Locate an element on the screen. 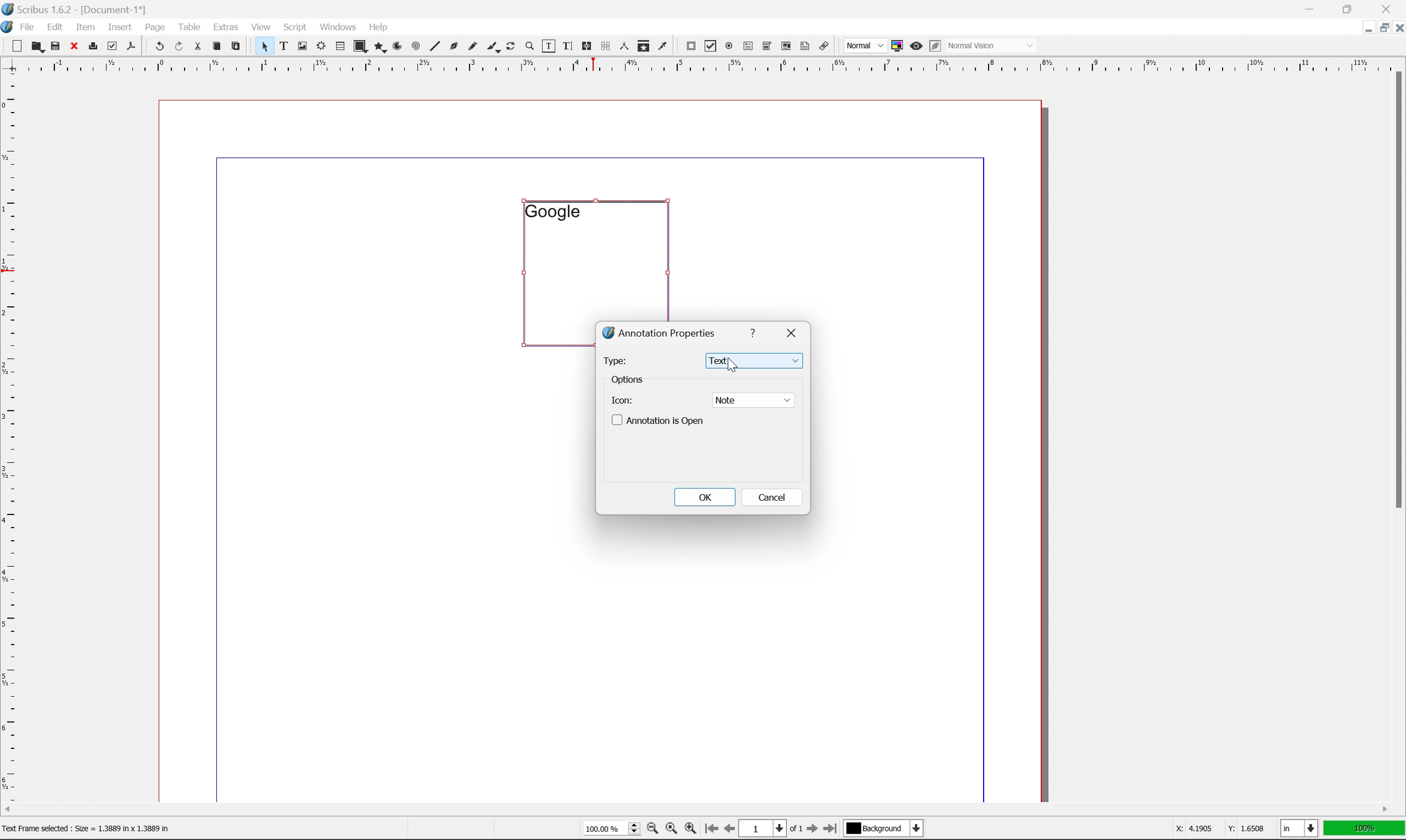 The image size is (1406, 840). windows is located at coordinates (340, 26).